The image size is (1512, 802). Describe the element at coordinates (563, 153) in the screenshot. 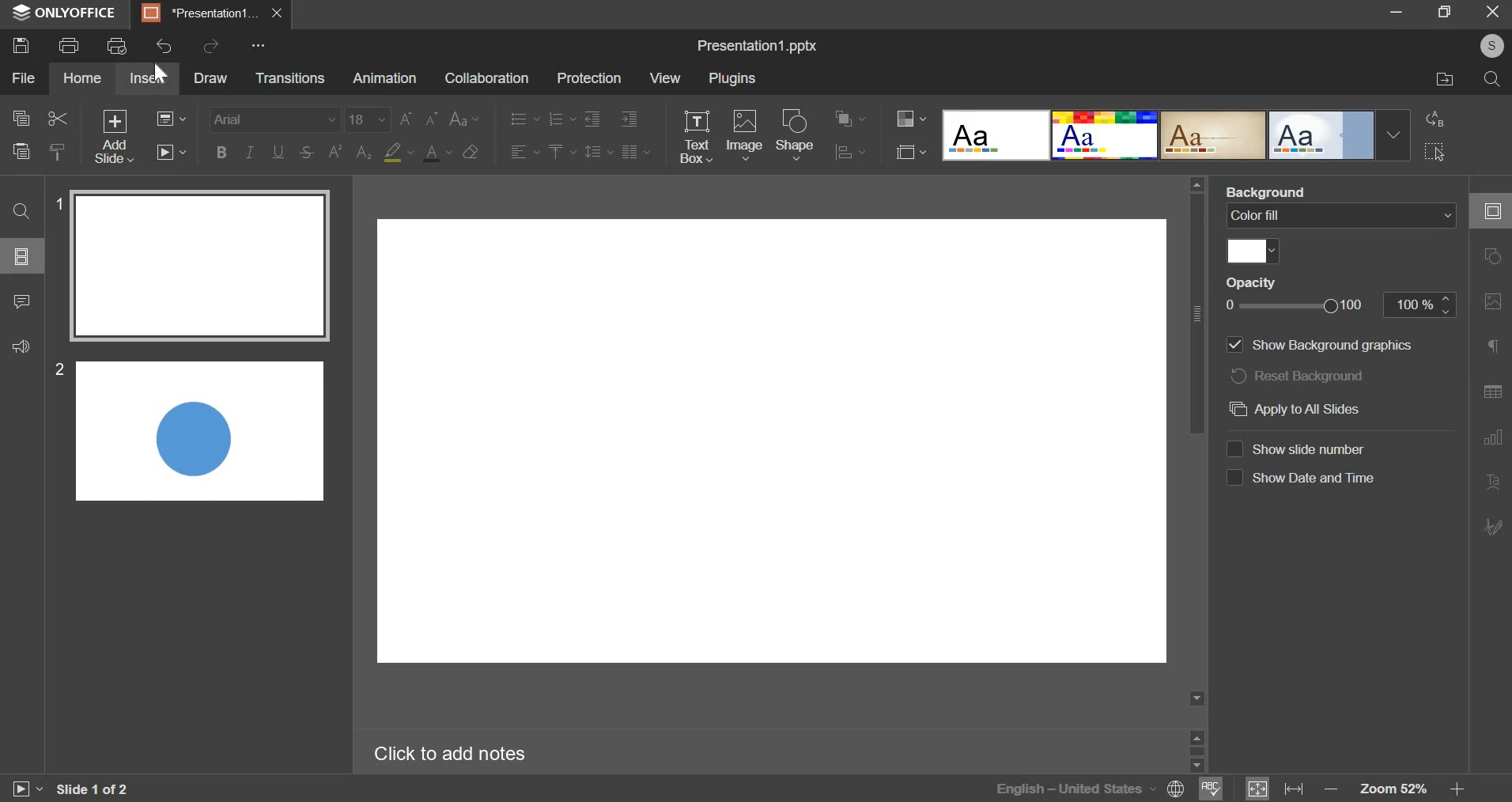

I see `vertical alignment` at that location.